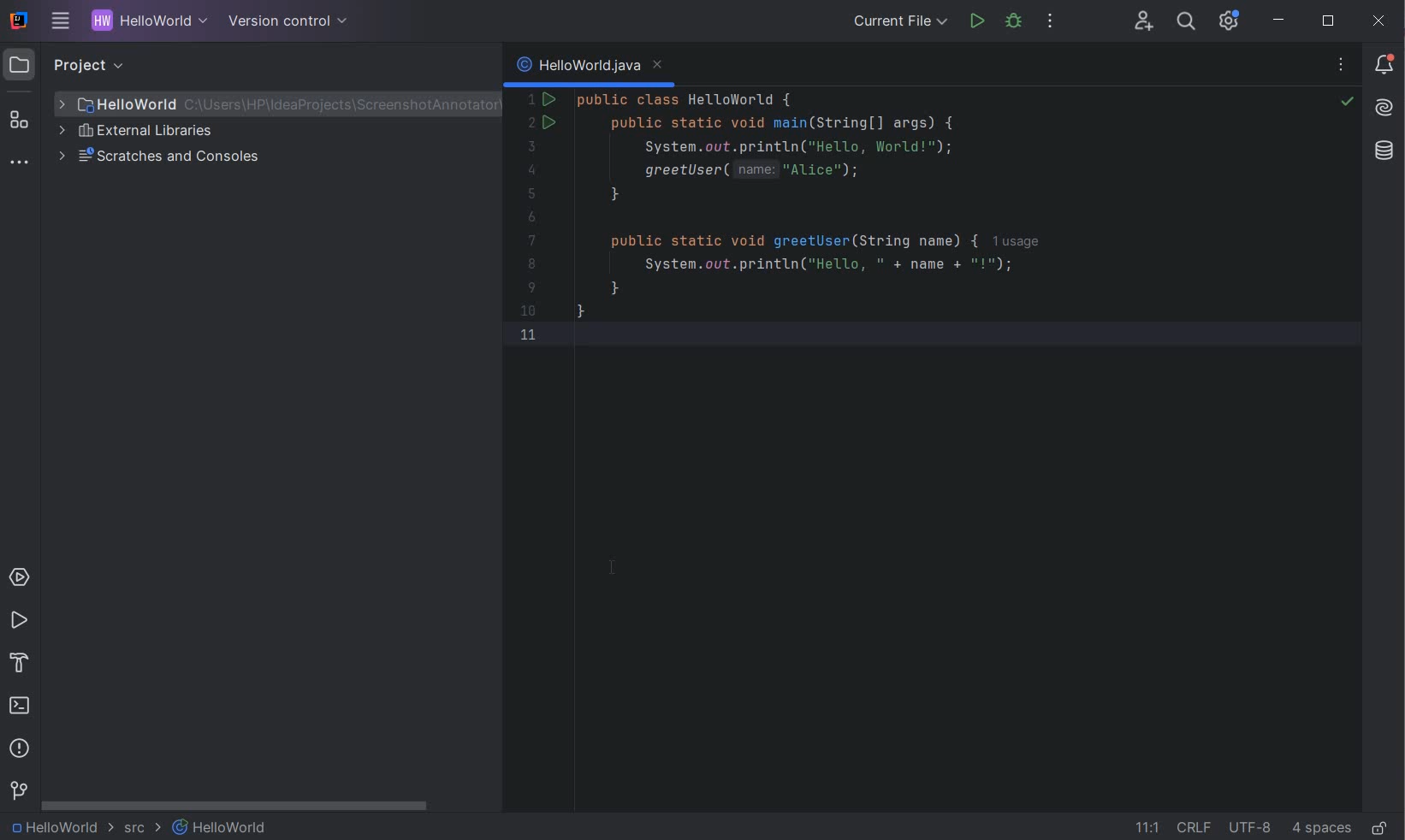 This screenshot has height=840, width=1405. I want to click on AI Assistant, so click(1384, 108).